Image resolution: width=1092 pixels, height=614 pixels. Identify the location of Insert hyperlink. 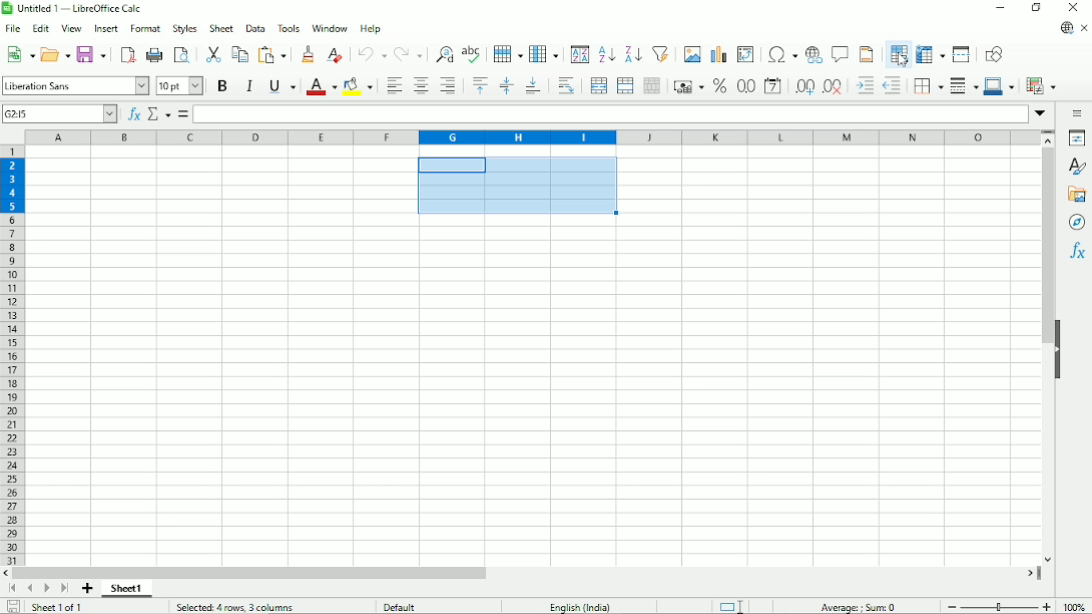
(814, 53).